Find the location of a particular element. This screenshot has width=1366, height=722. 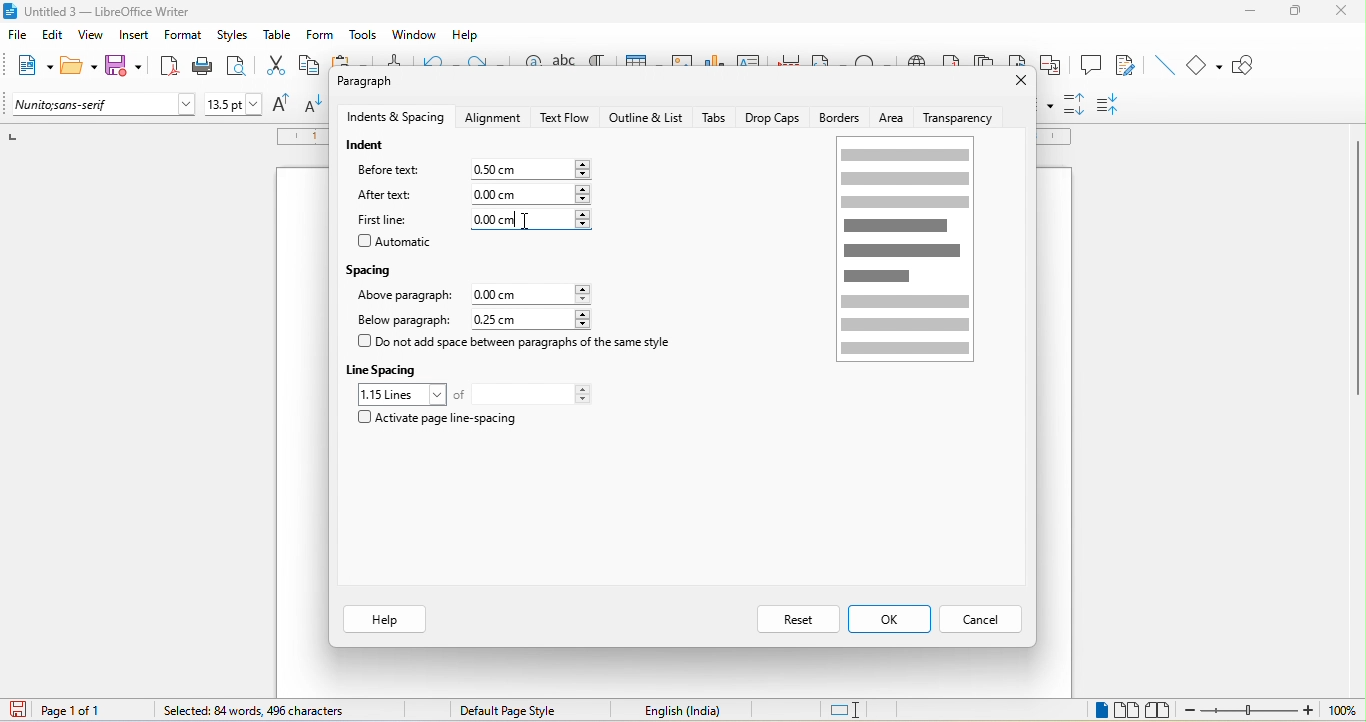

indent is located at coordinates (371, 147).